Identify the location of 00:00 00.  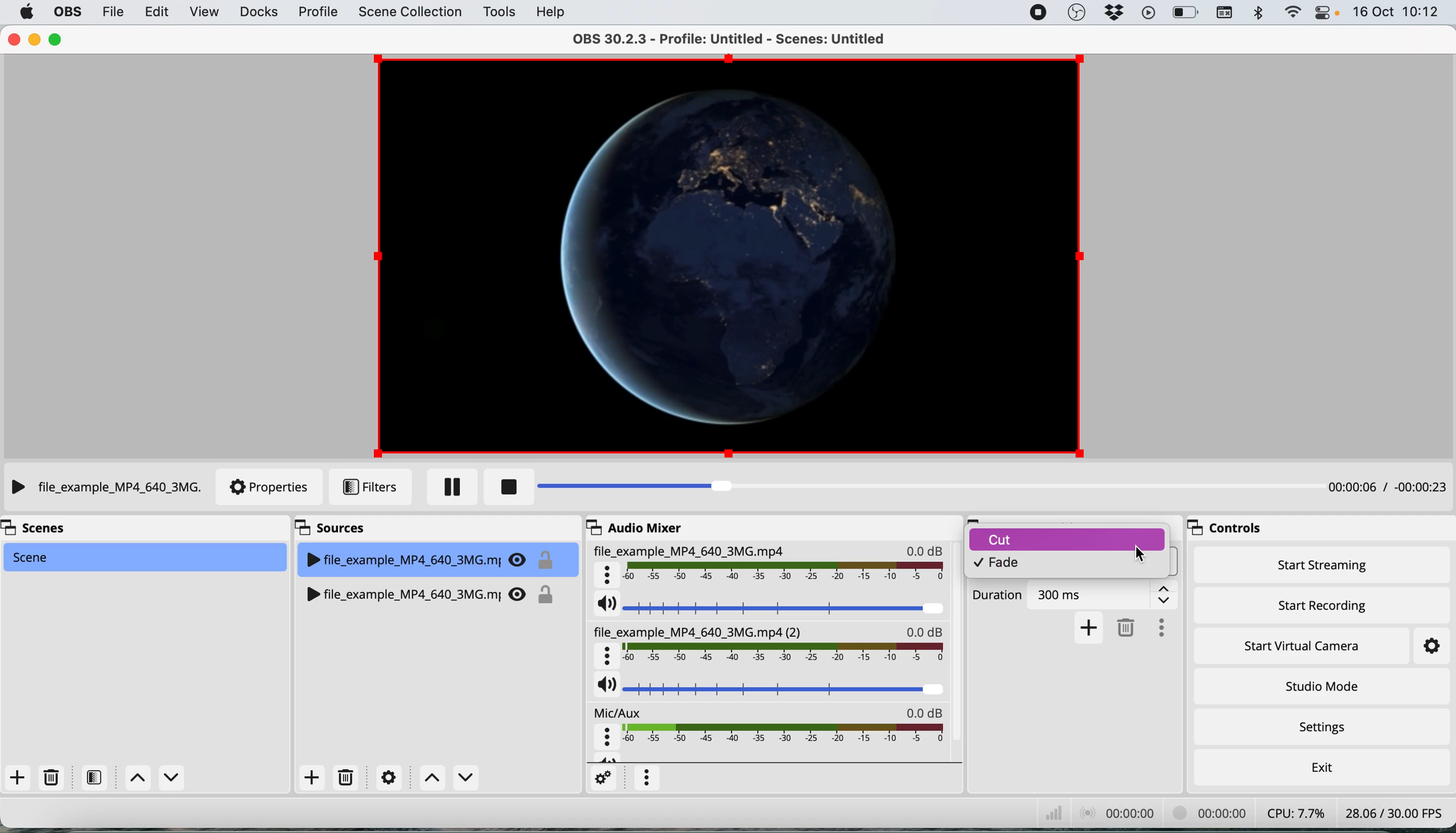
(1206, 813).